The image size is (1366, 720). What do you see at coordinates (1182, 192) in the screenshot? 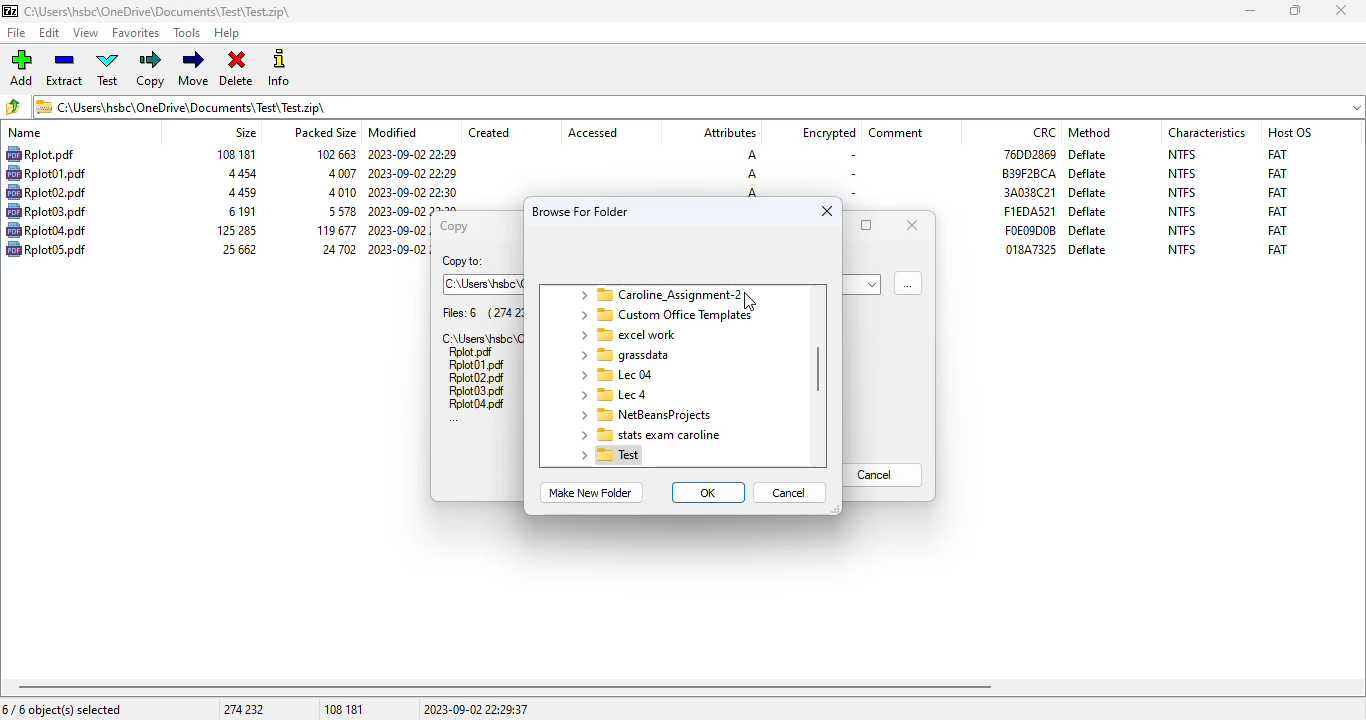
I see `NTFS` at bounding box center [1182, 192].